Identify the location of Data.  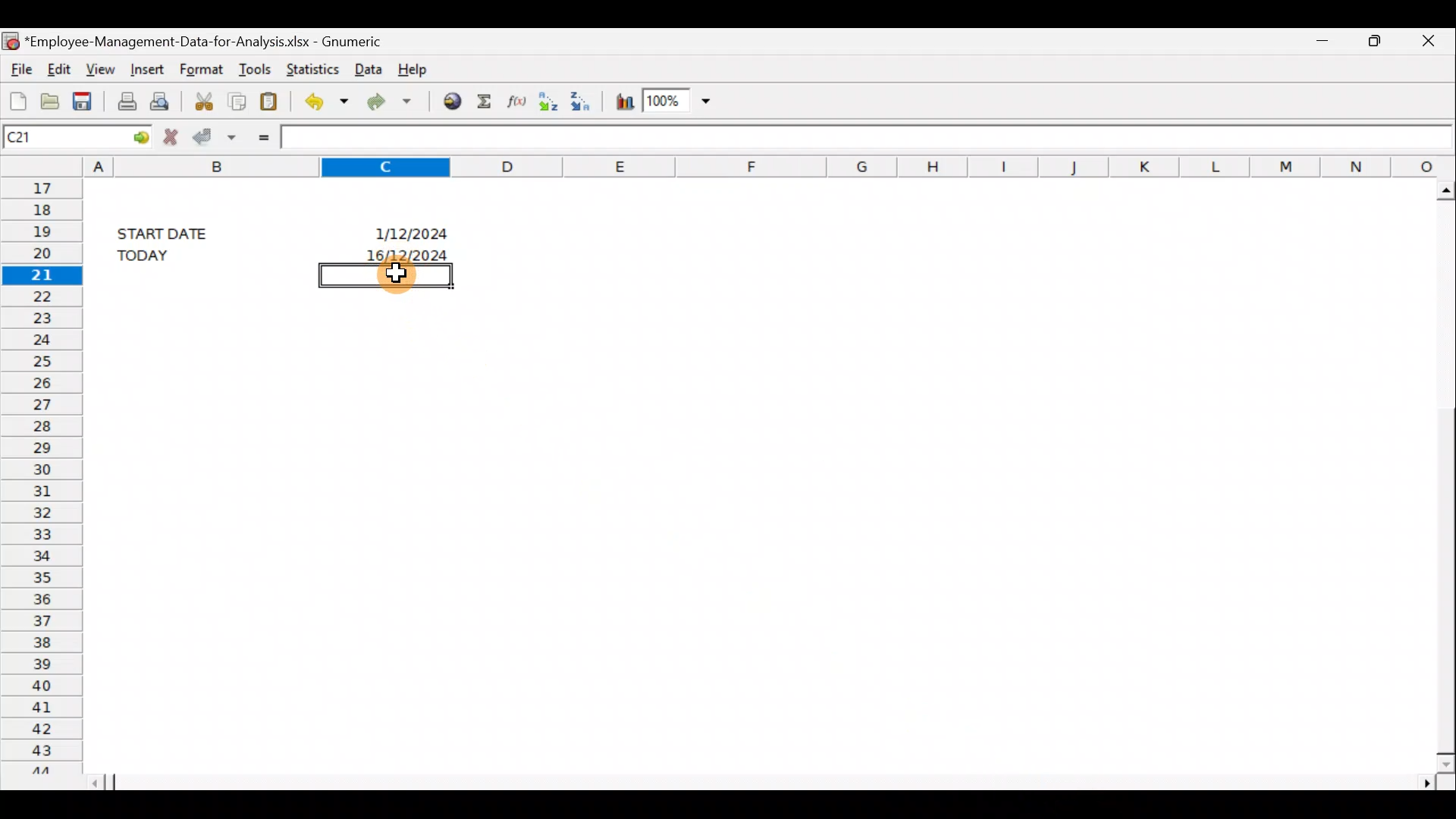
(367, 70).